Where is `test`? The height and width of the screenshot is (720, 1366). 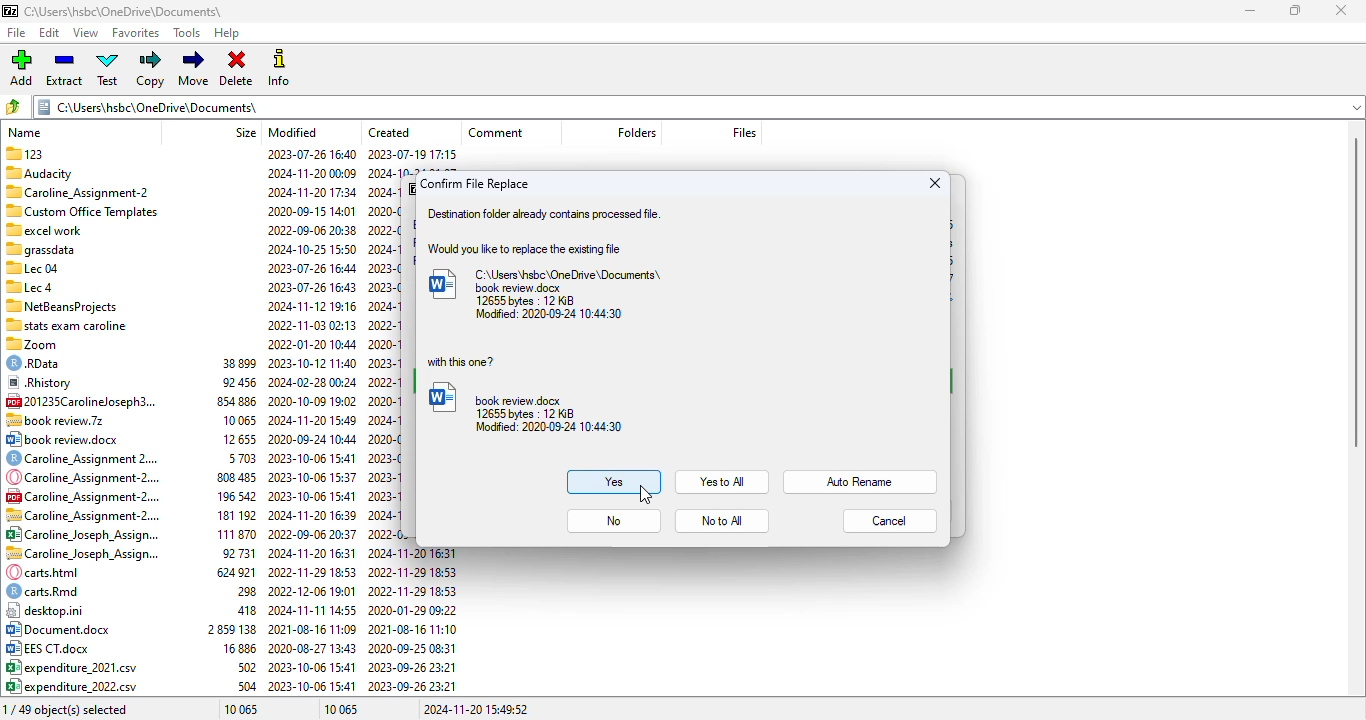 test is located at coordinates (109, 69).